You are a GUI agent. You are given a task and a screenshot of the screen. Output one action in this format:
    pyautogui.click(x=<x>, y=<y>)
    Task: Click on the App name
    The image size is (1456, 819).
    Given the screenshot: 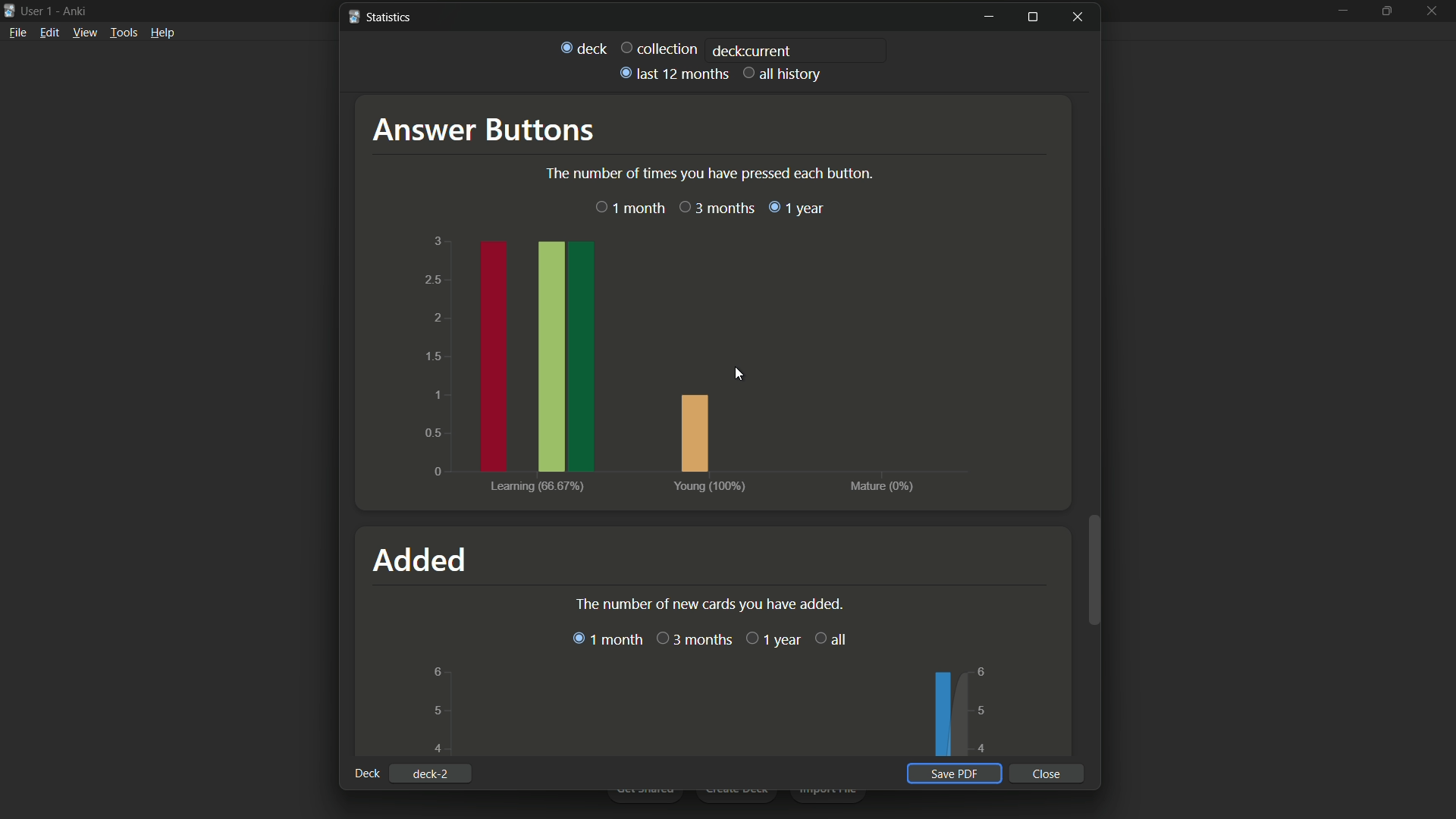 What is the action you would take?
    pyautogui.click(x=77, y=11)
    